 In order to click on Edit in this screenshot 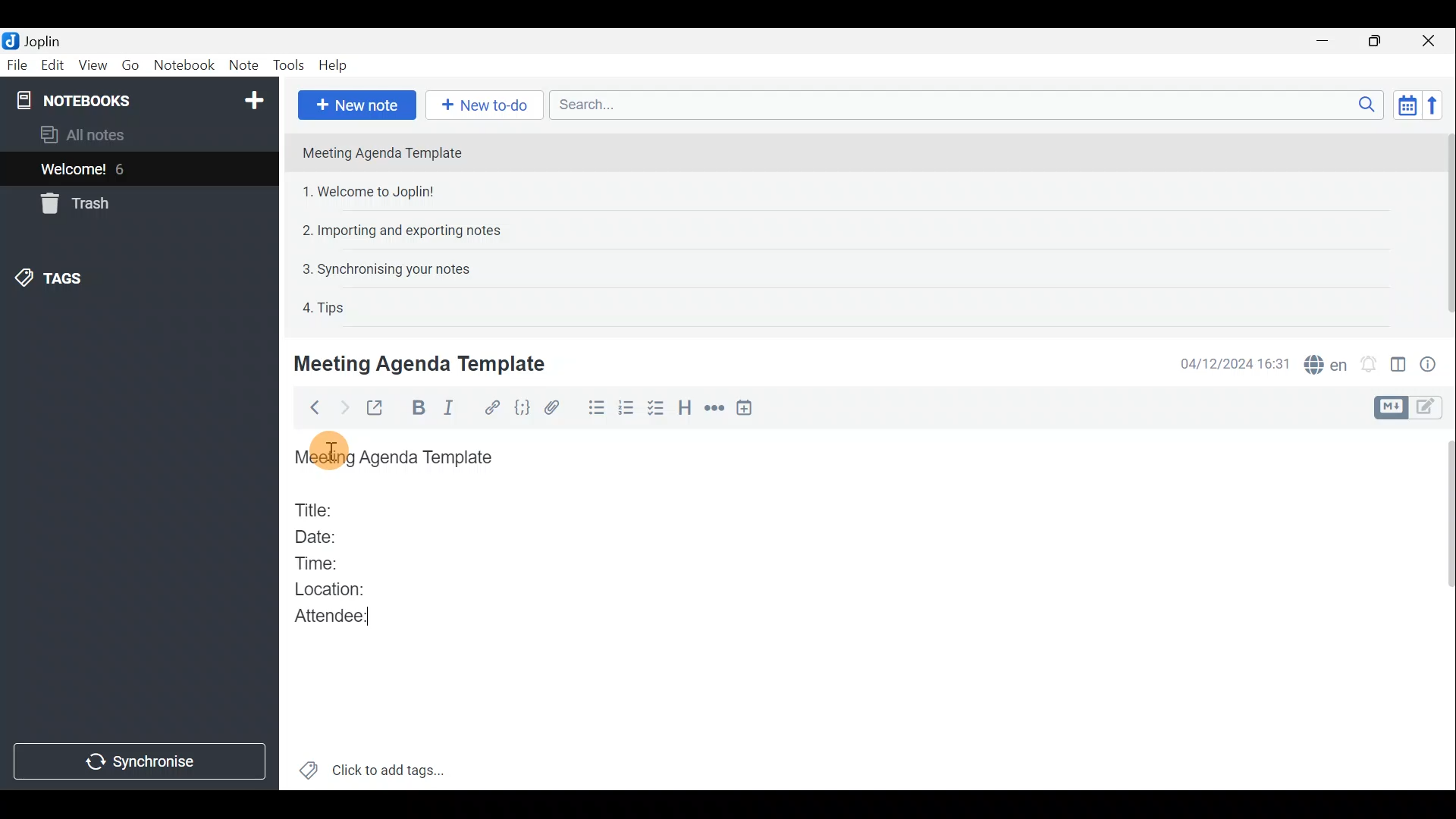, I will do `click(53, 67)`.